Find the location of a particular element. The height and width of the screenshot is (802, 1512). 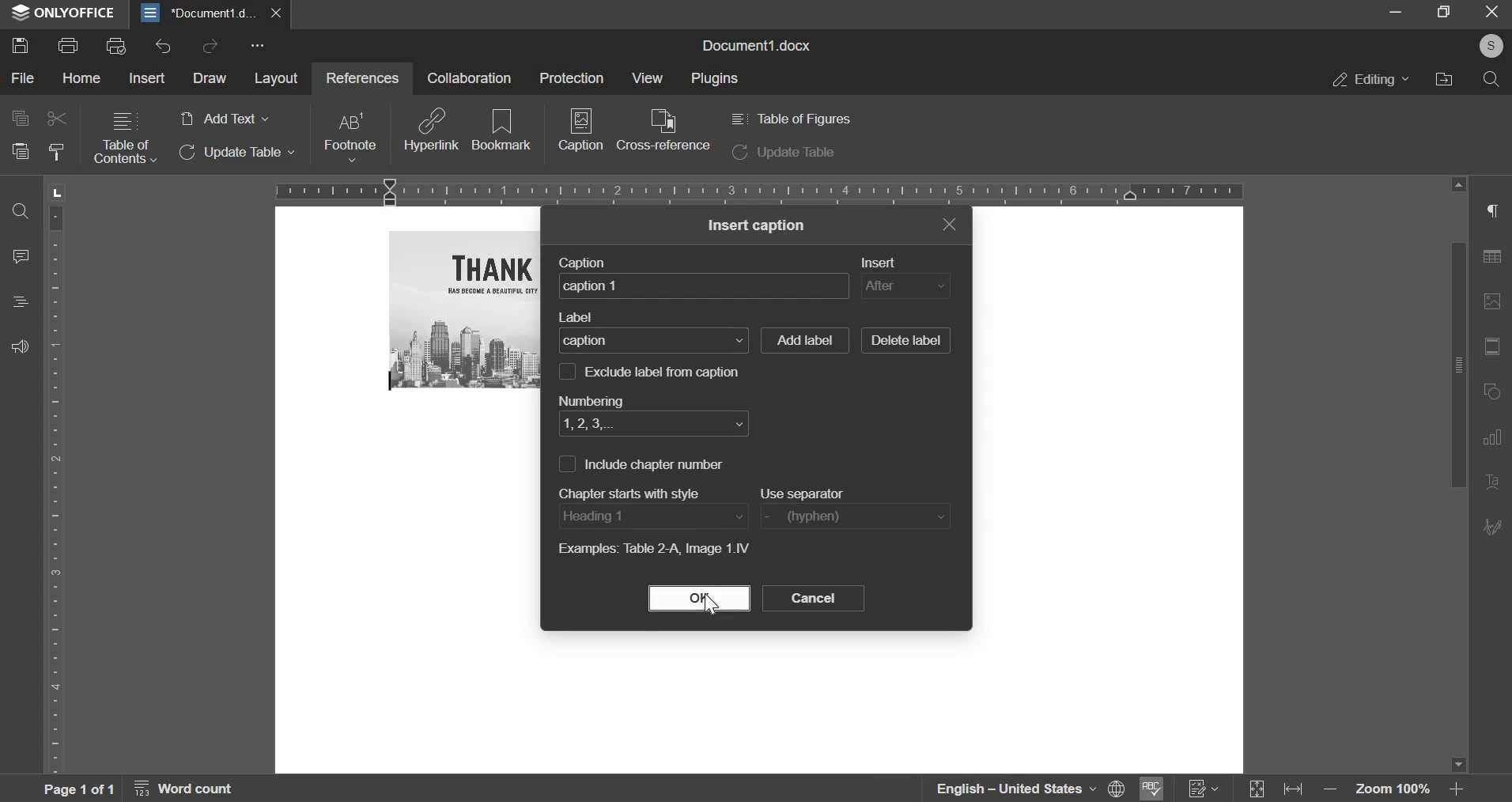

draw is located at coordinates (209, 78).